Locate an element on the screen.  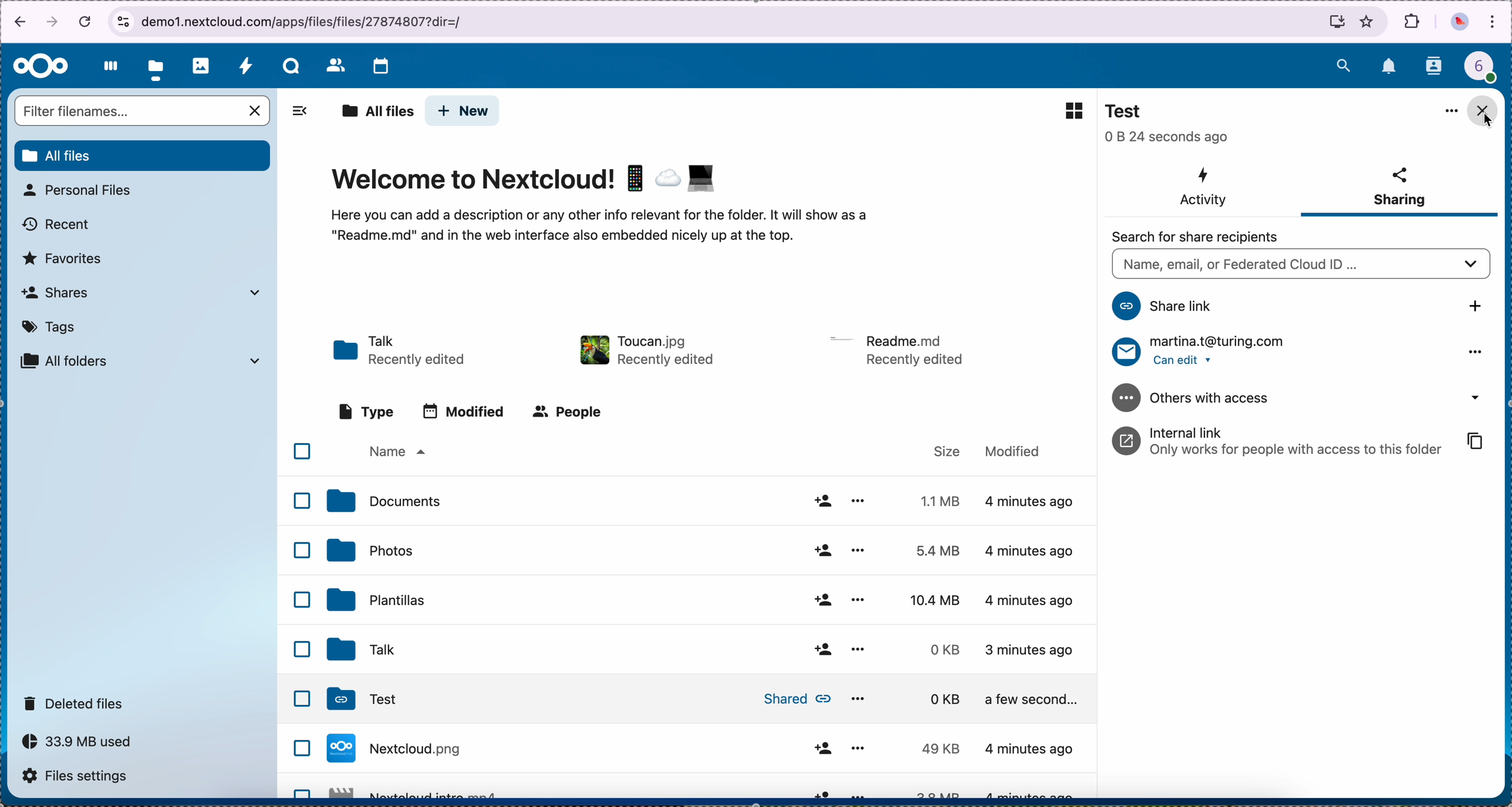
all files is located at coordinates (377, 112).